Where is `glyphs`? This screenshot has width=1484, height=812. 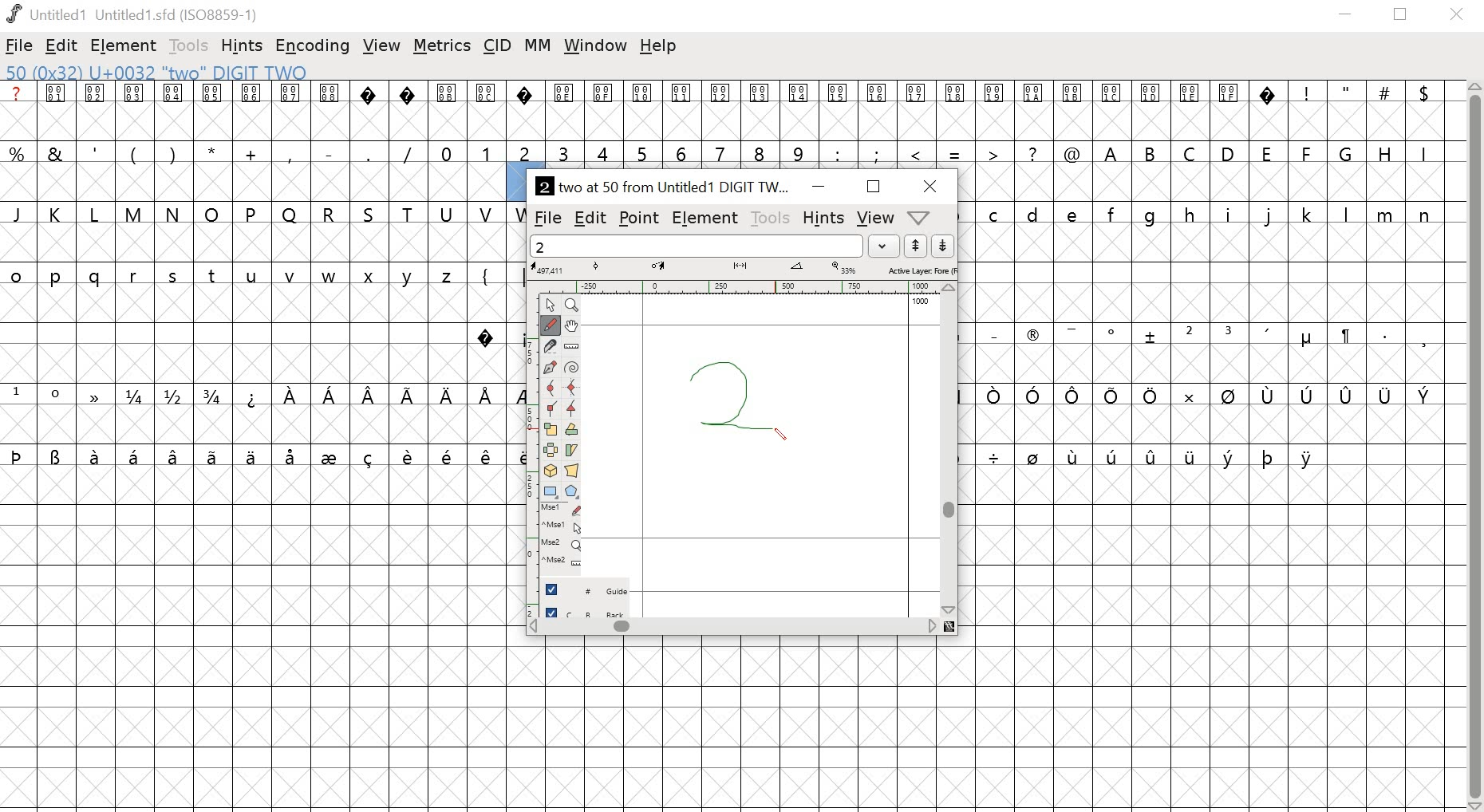
glyphs is located at coordinates (1214, 340).